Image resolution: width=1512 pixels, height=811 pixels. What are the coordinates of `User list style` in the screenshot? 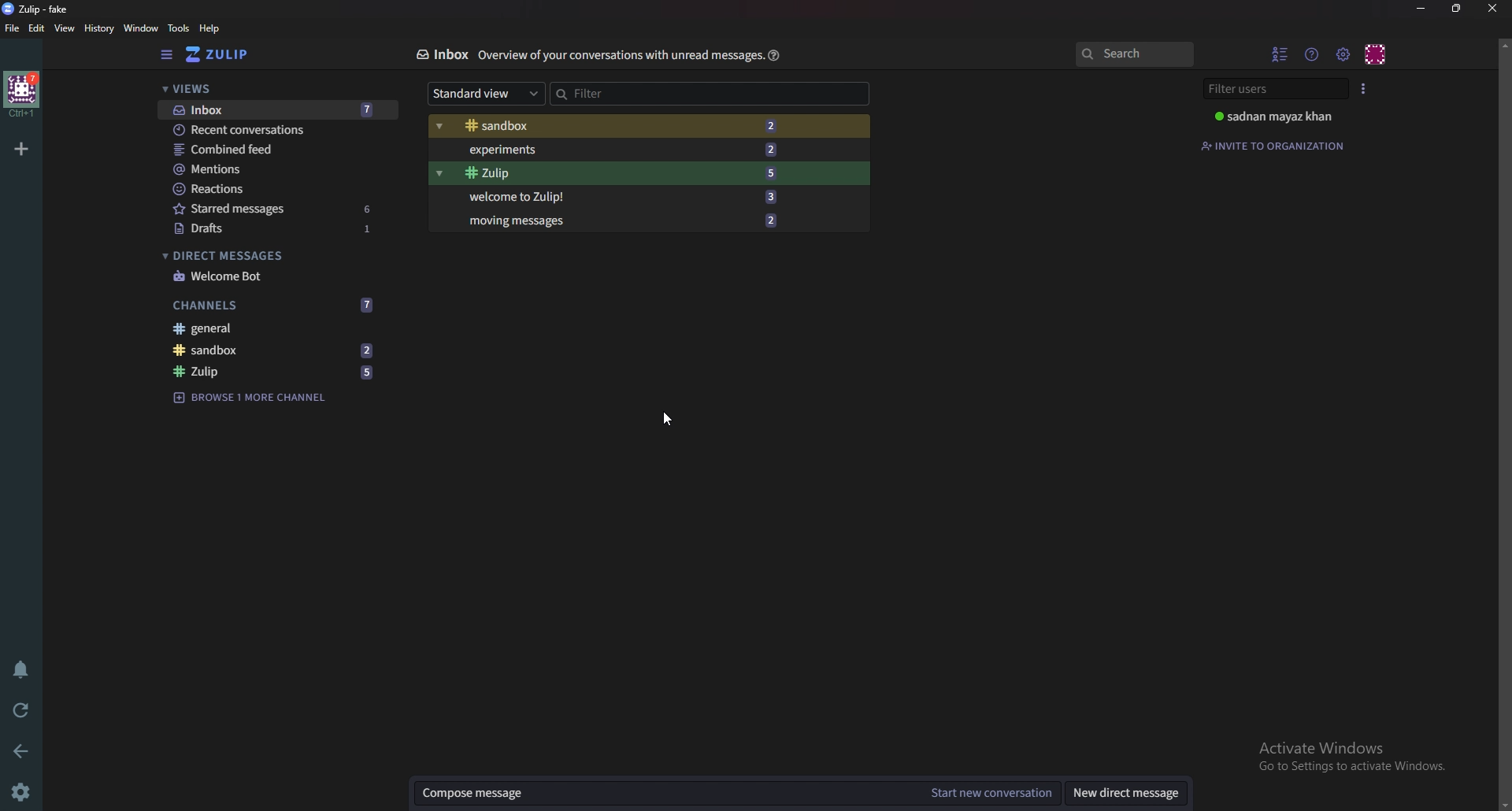 It's located at (1365, 88).